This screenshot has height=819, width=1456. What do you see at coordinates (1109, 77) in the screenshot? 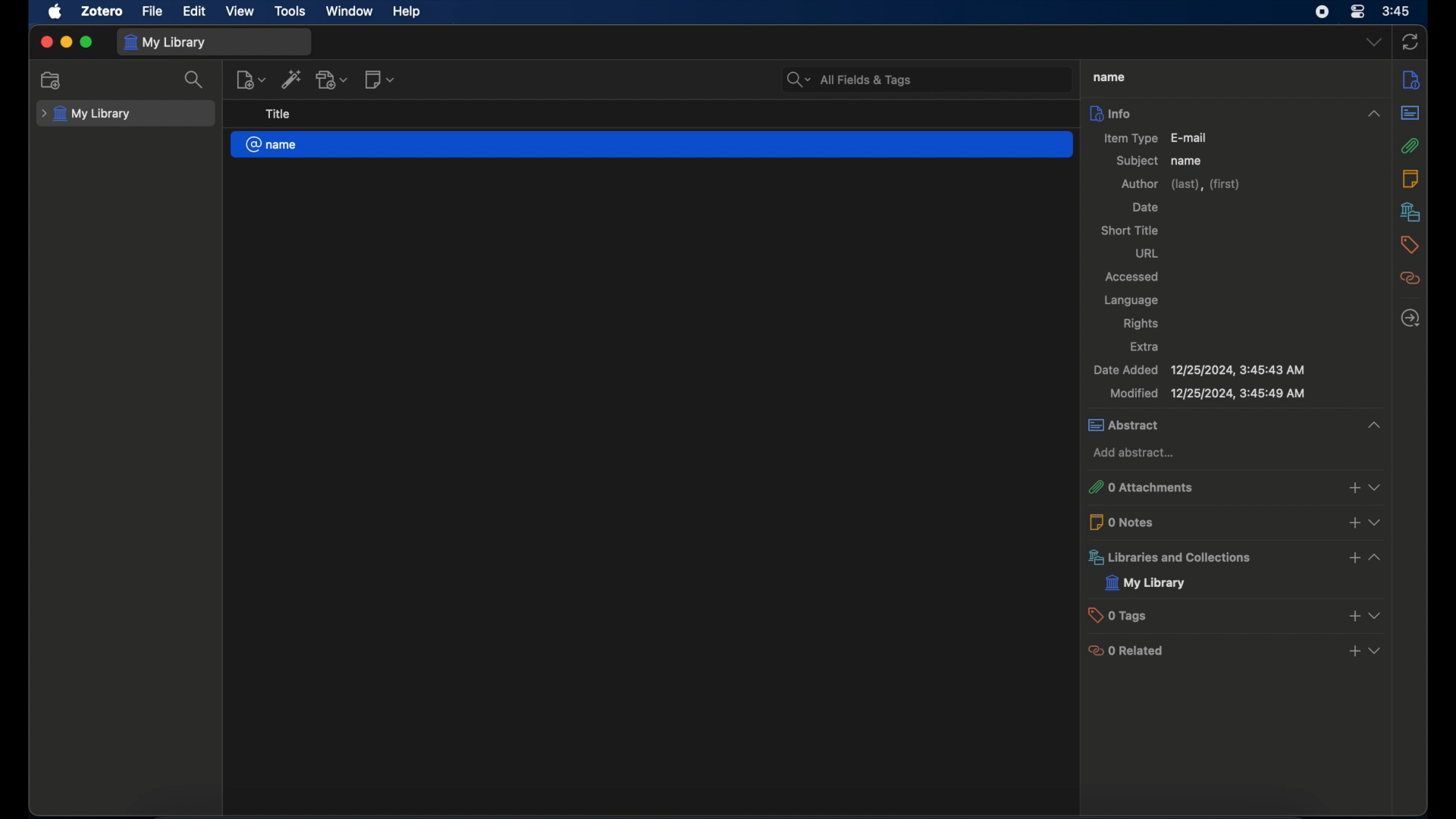
I see `name` at bounding box center [1109, 77].